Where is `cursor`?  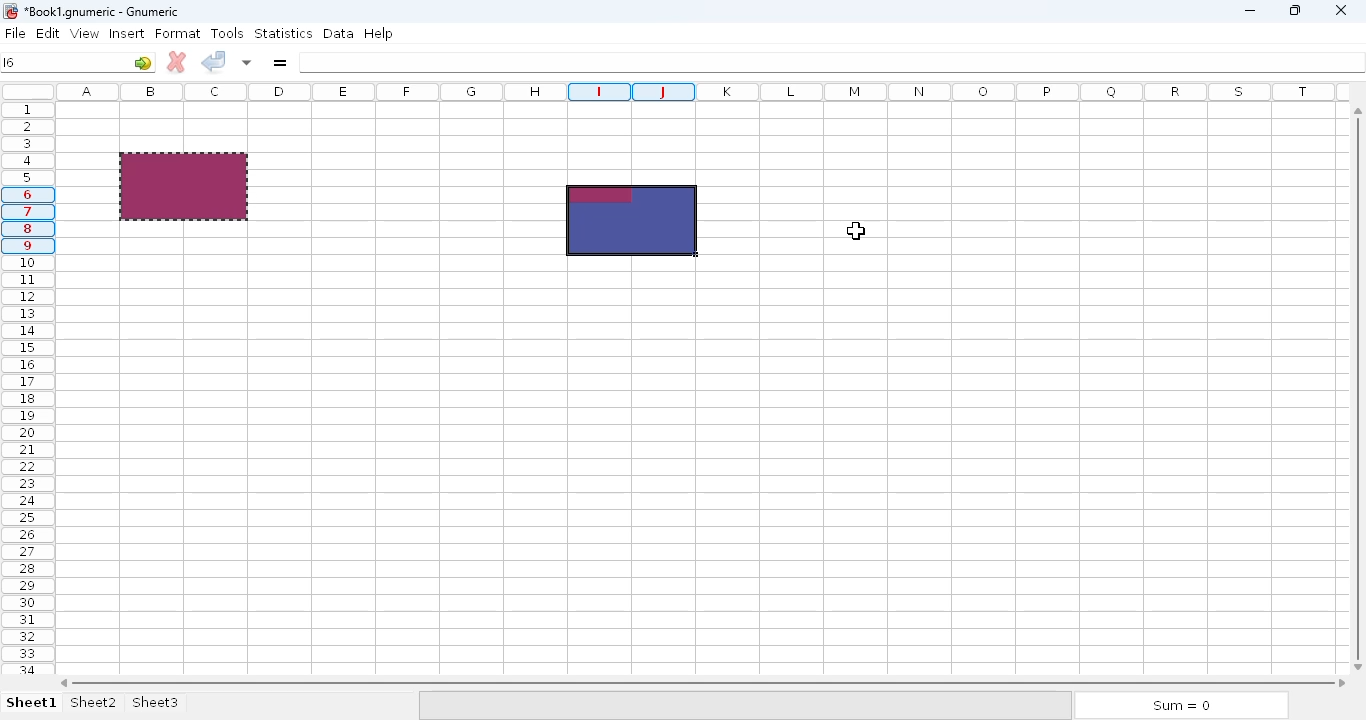 cursor is located at coordinates (856, 231).